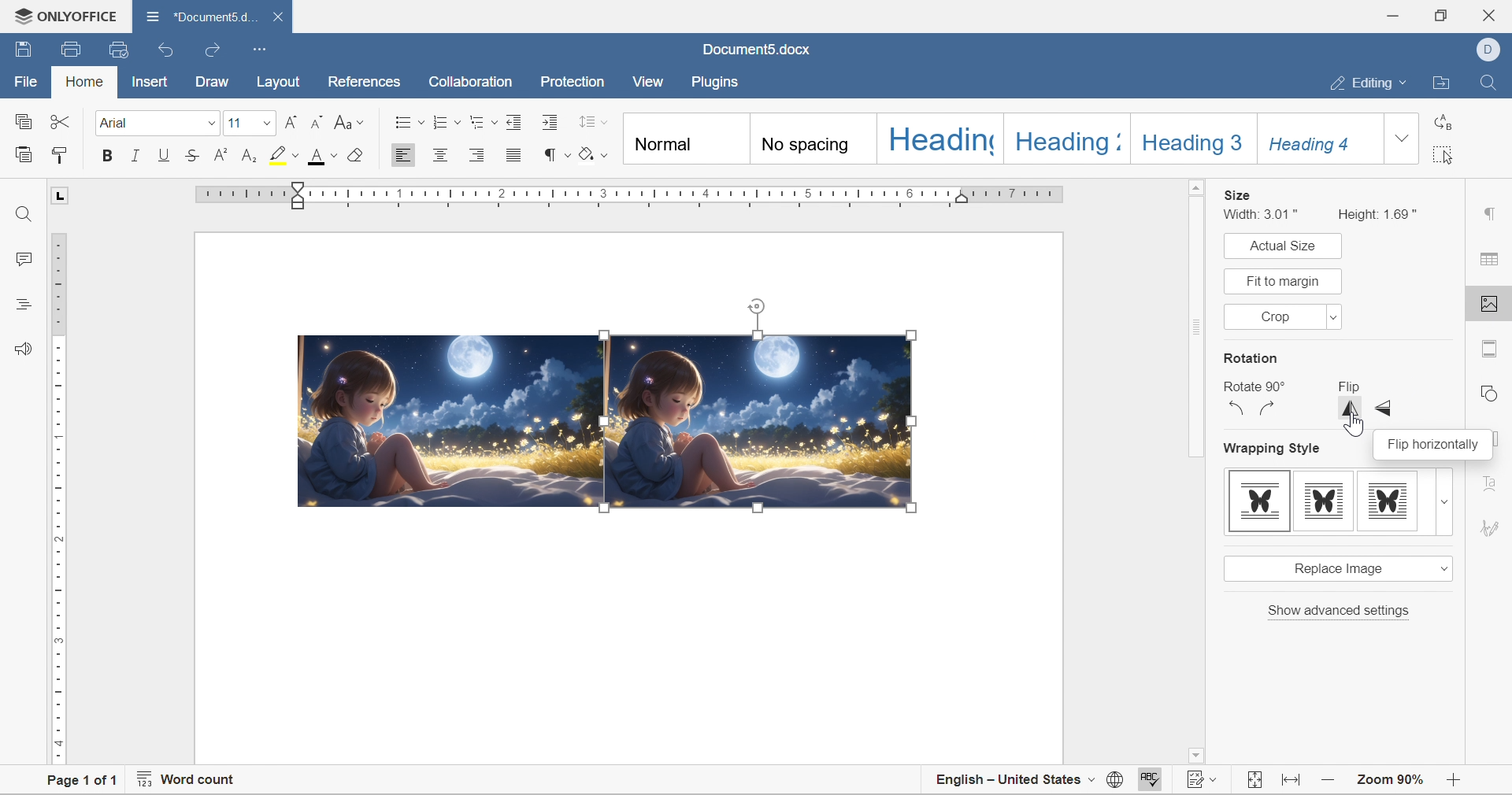 Image resolution: width=1512 pixels, height=795 pixels. I want to click on zoom 90%, so click(1392, 780).